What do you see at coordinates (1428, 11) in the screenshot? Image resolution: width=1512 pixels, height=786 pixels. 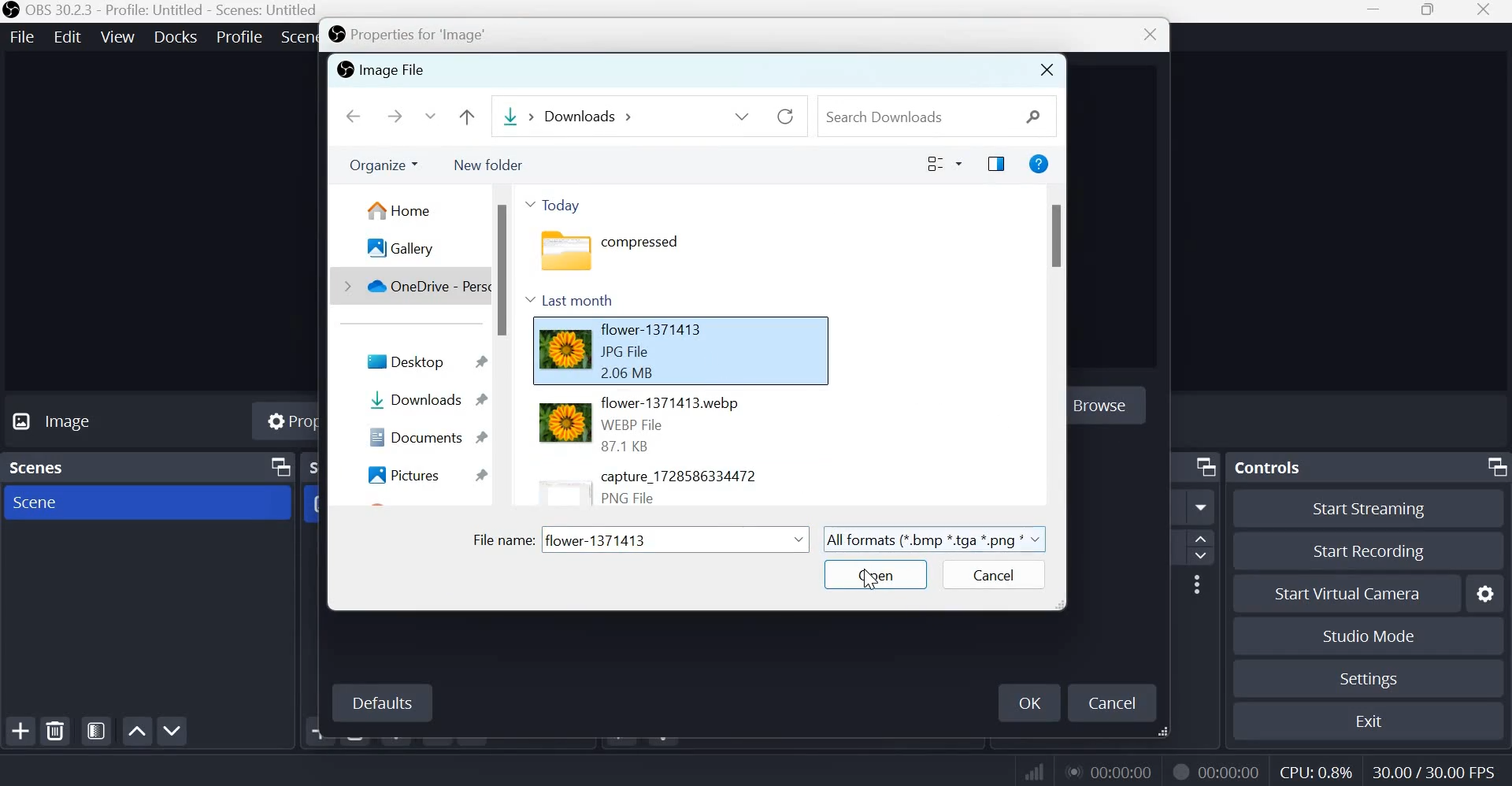 I see `Windows size toggle` at bounding box center [1428, 11].